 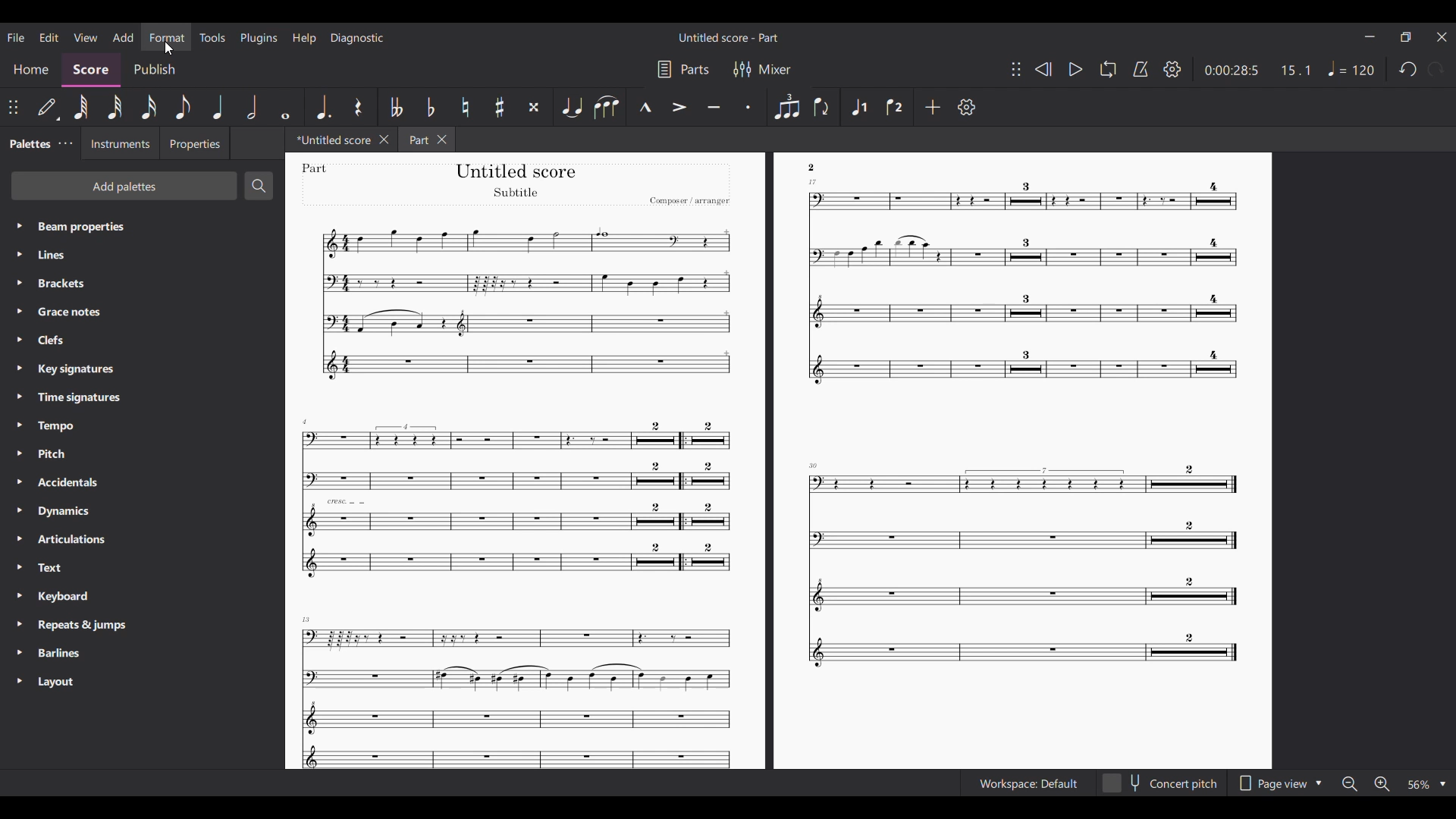 What do you see at coordinates (517, 691) in the screenshot?
I see `` at bounding box center [517, 691].